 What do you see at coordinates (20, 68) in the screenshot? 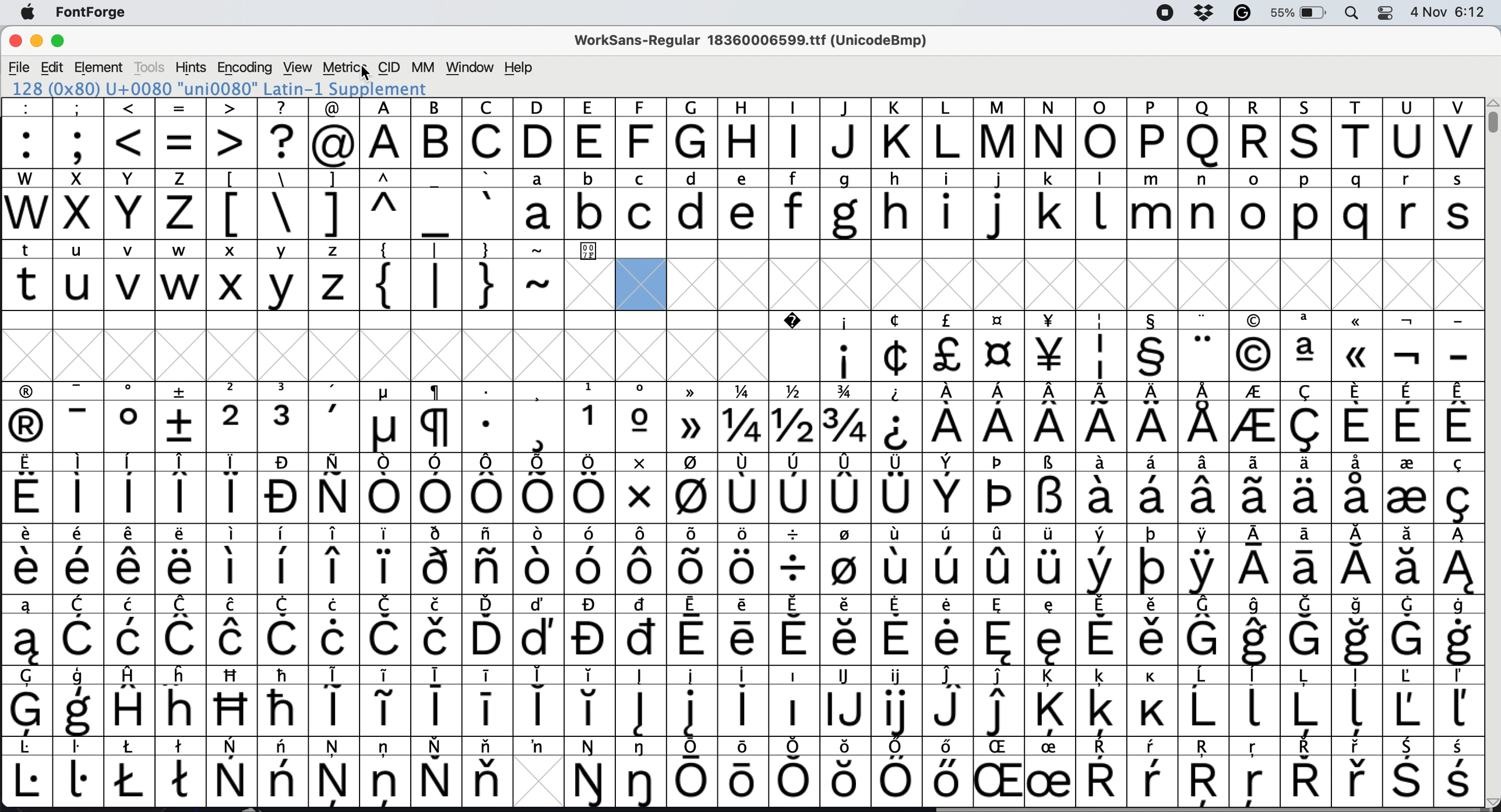
I see `File` at bounding box center [20, 68].